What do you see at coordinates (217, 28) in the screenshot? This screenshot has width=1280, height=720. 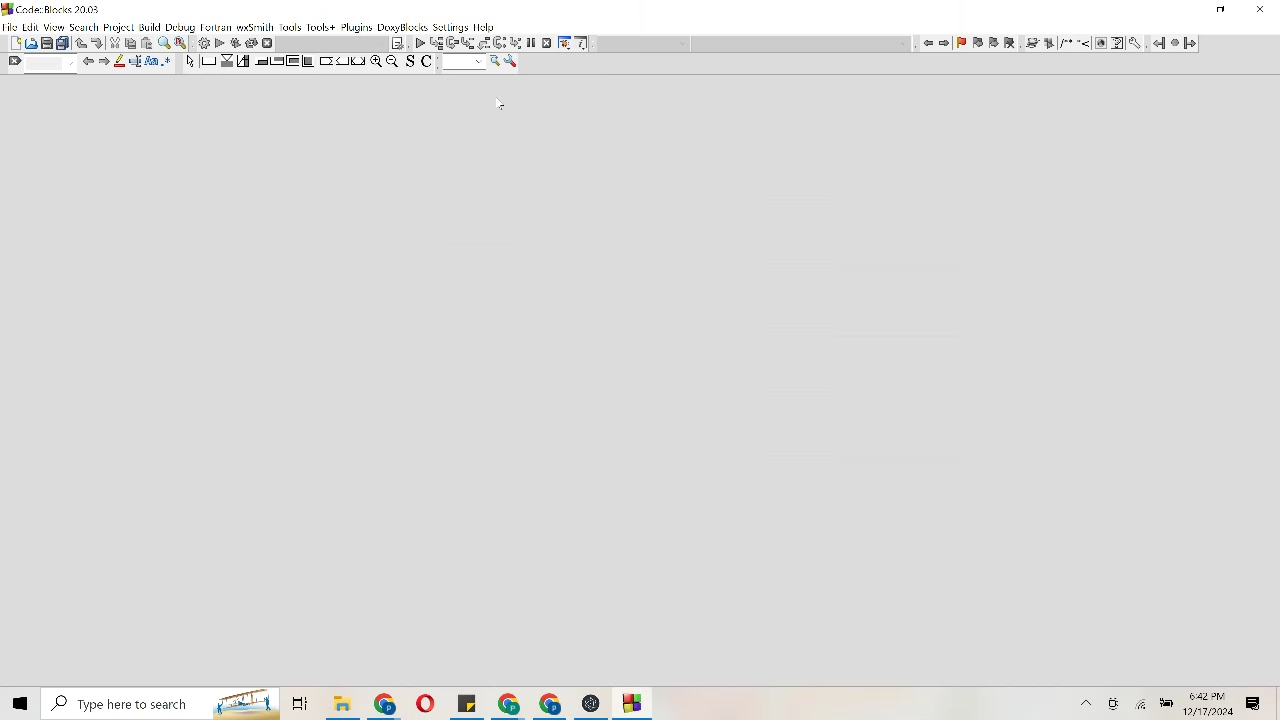 I see `Fortran` at bounding box center [217, 28].